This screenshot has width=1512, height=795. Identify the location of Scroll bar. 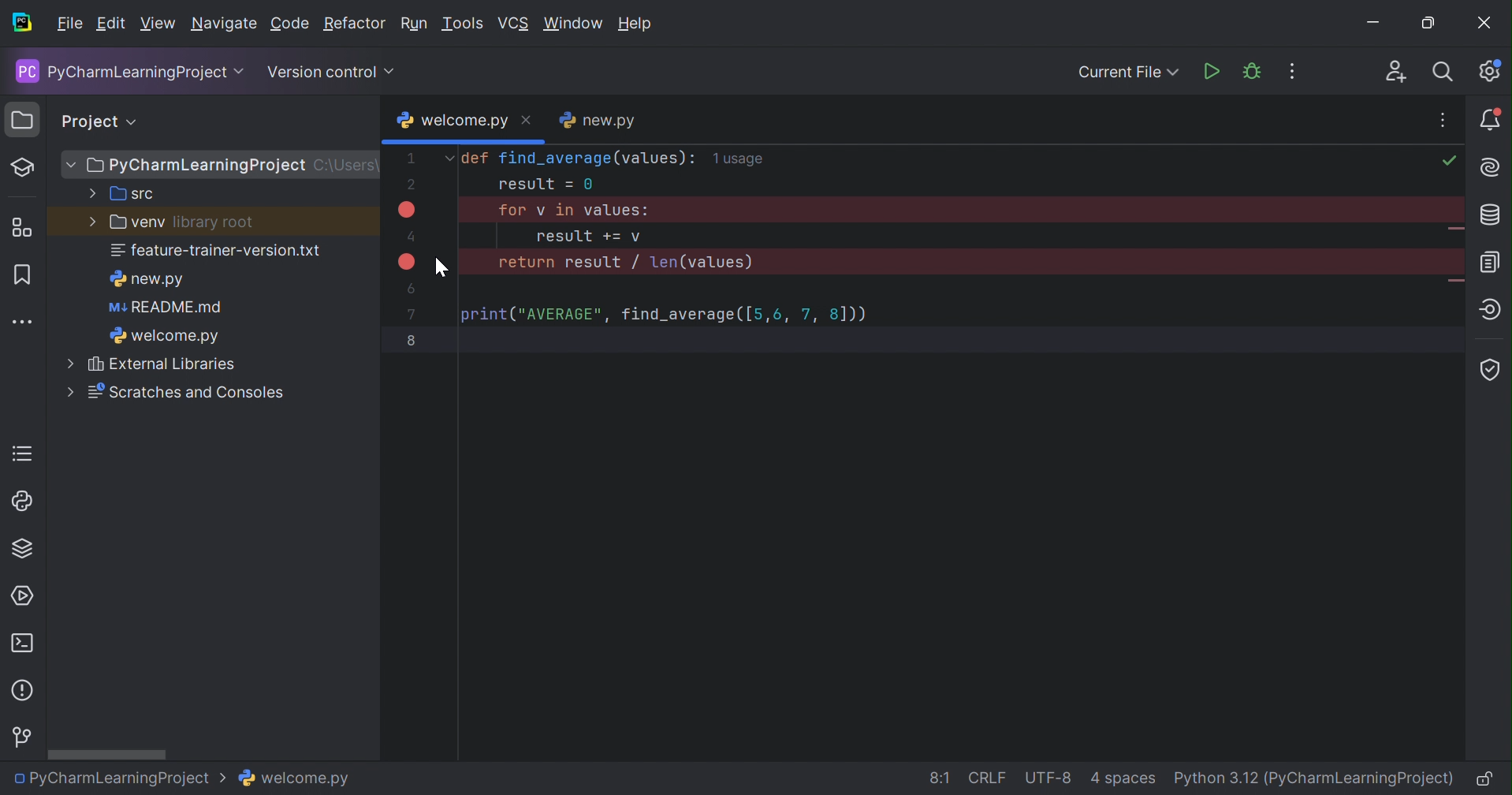
(109, 753).